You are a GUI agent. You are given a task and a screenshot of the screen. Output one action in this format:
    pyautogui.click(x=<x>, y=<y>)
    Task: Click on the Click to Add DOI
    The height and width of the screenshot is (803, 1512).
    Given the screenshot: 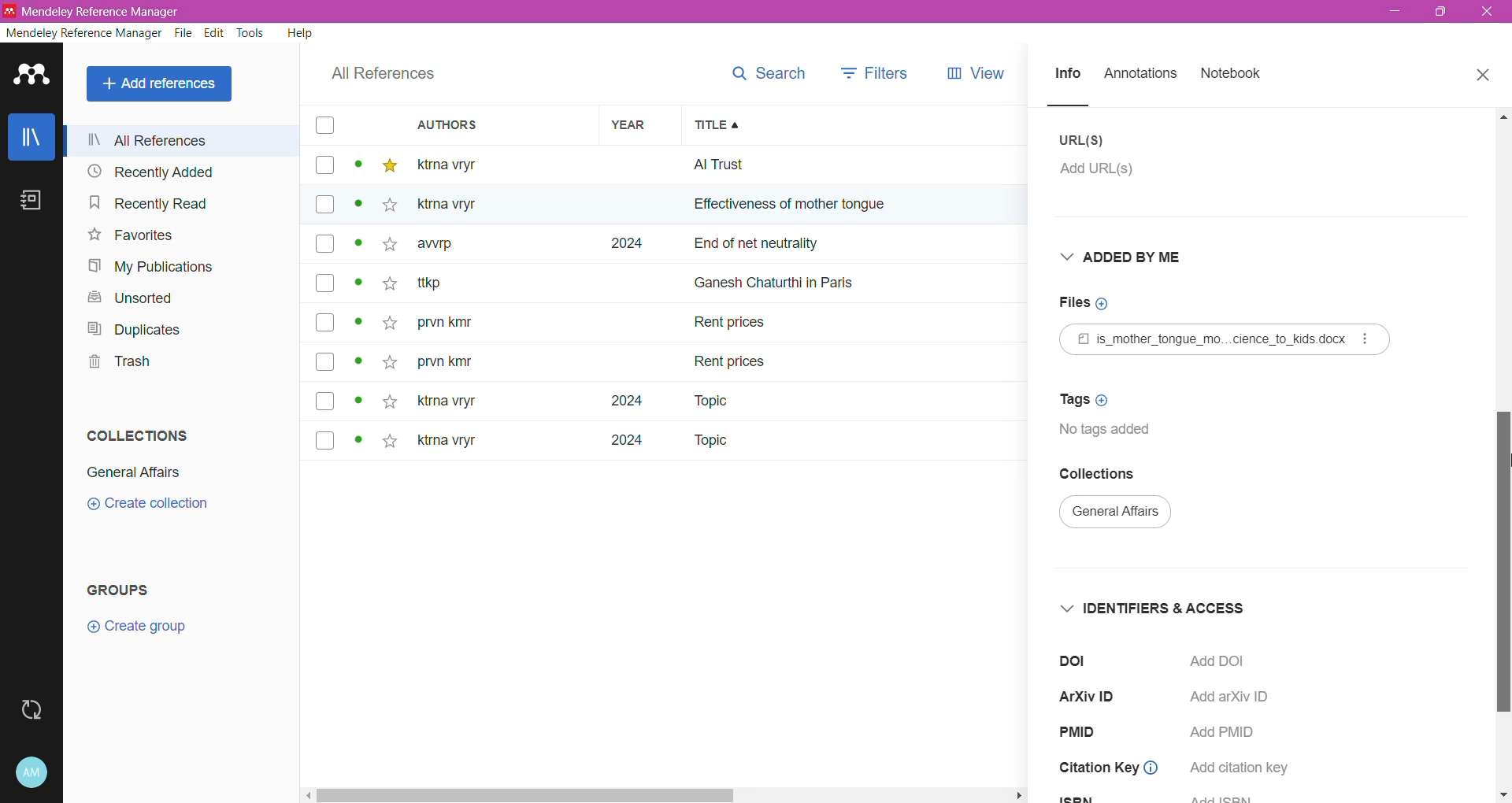 What is the action you would take?
    pyautogui.click(x=1229, y=661)
    